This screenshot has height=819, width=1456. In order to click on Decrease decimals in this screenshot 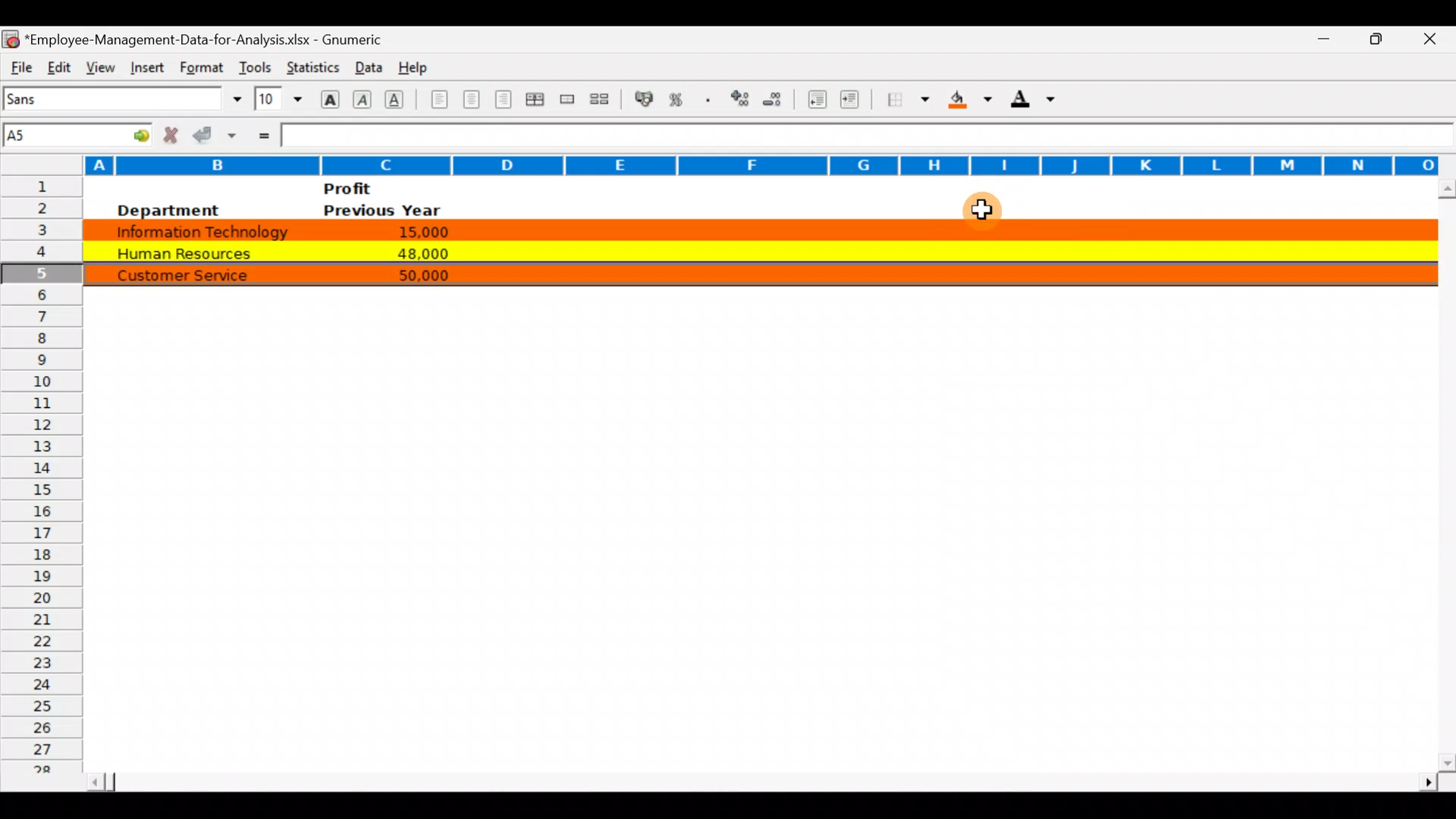, I will do `click(779, 99)`.